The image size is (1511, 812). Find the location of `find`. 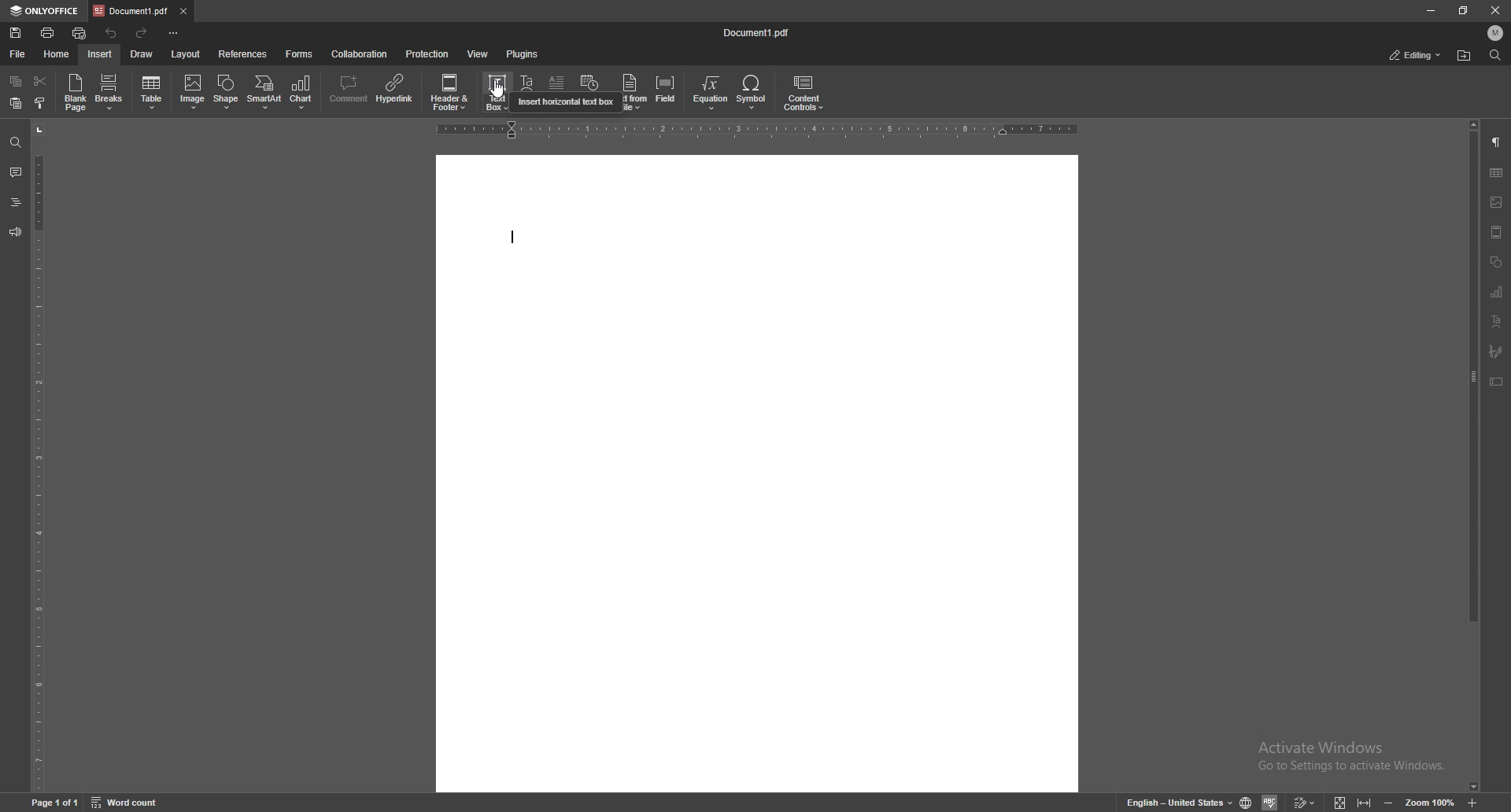

find is located at coordinates (14, 143).